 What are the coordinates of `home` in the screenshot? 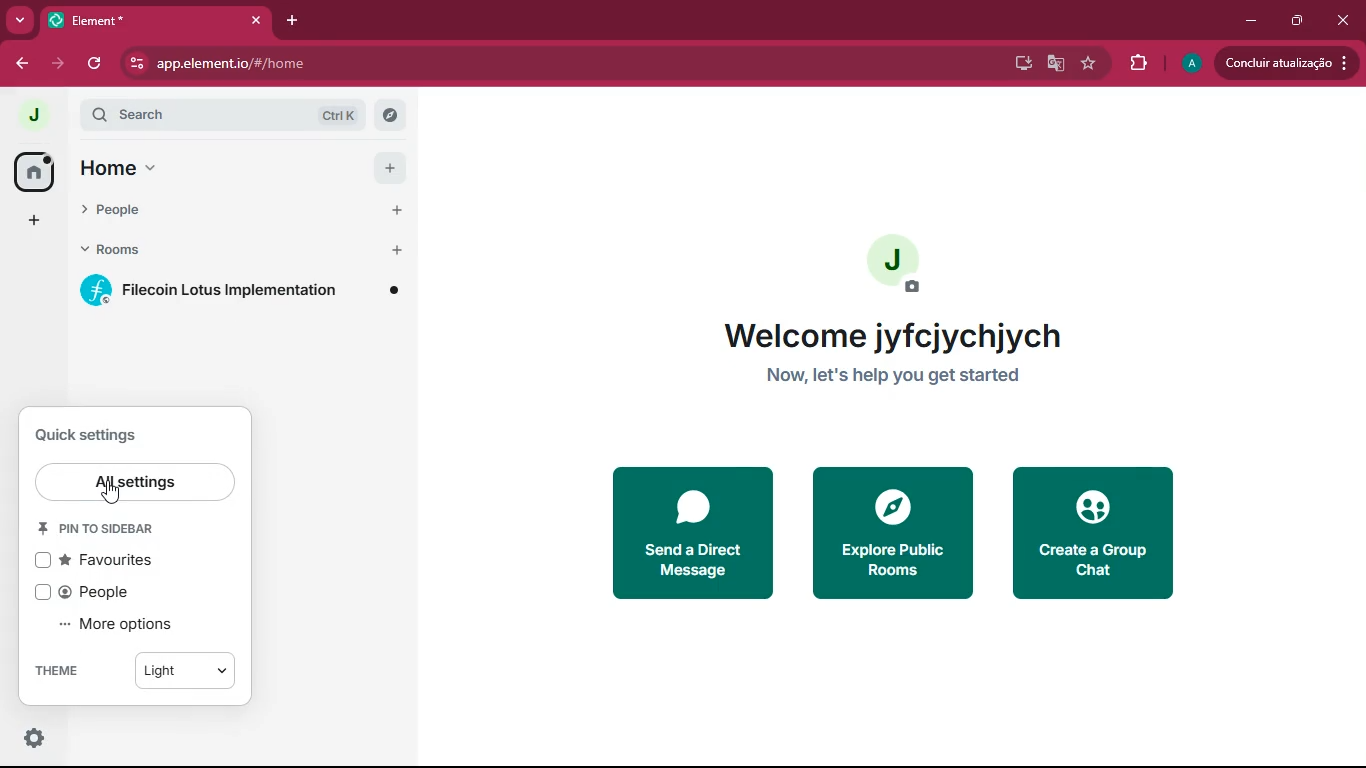 It's located at (200, 170).